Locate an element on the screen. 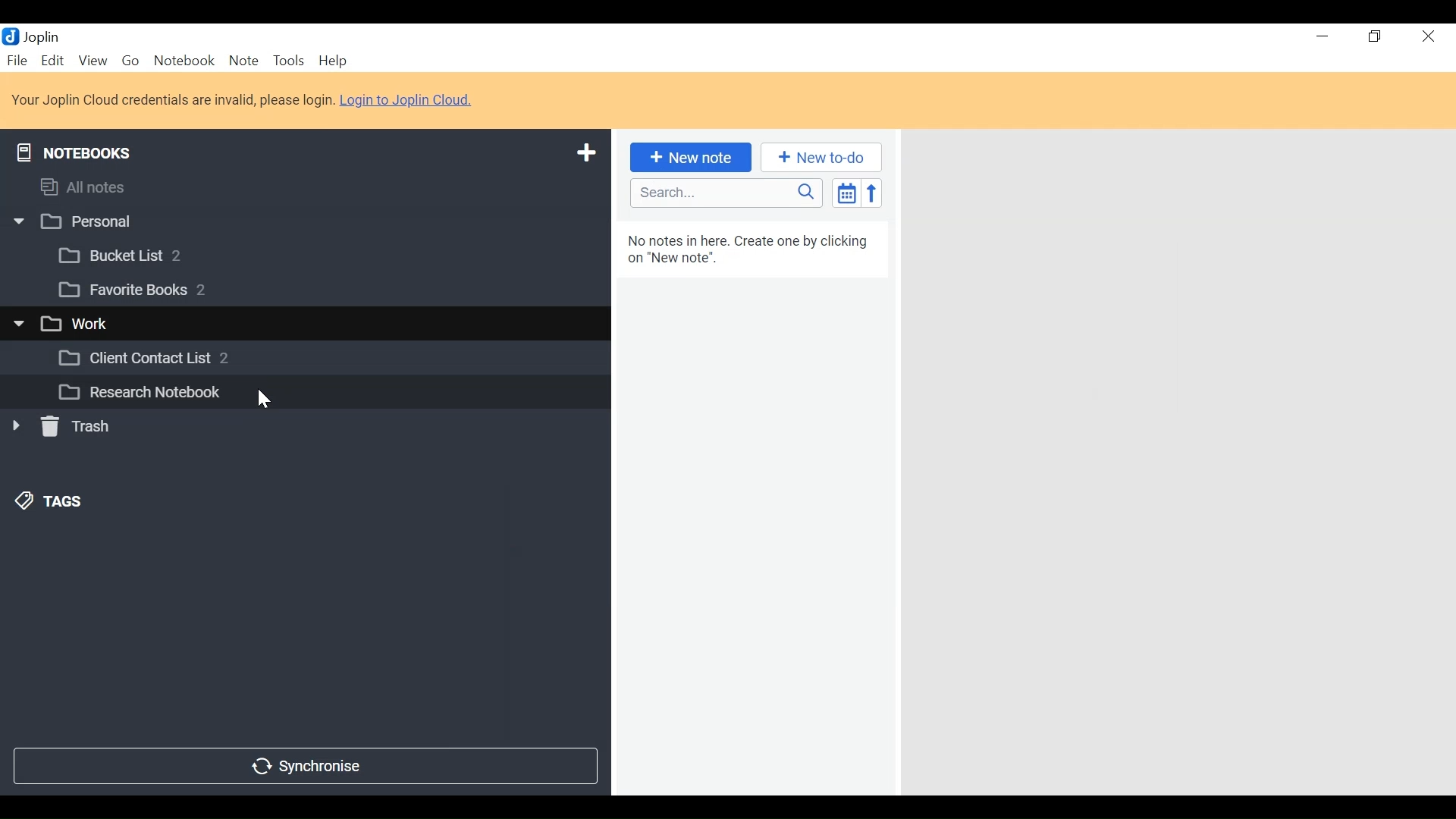  All notes is located at coordinates (97, 184).